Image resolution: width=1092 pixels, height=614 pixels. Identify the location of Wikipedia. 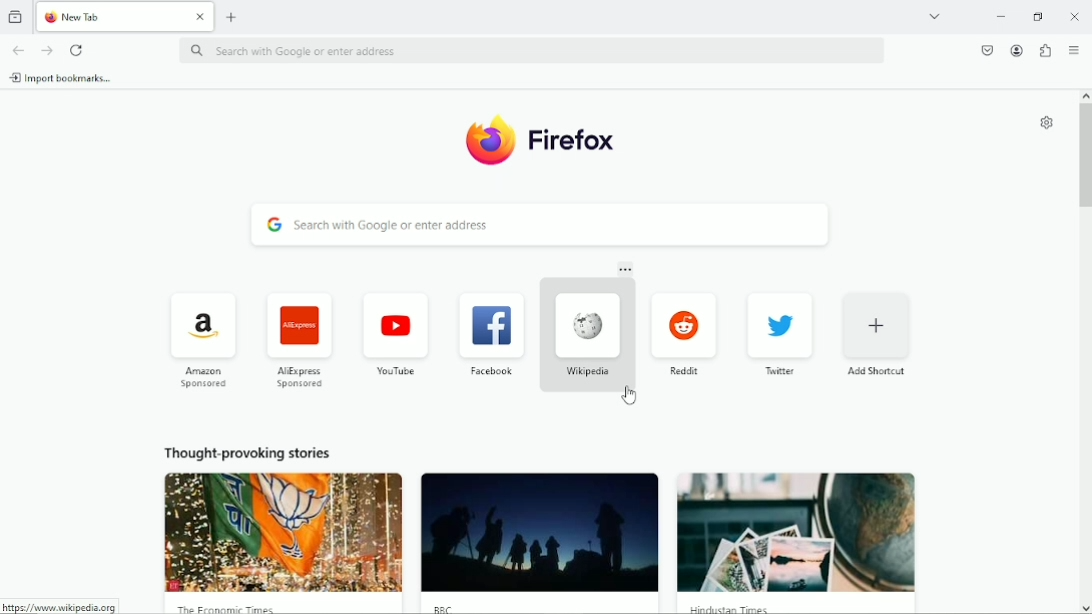
(586, 331).